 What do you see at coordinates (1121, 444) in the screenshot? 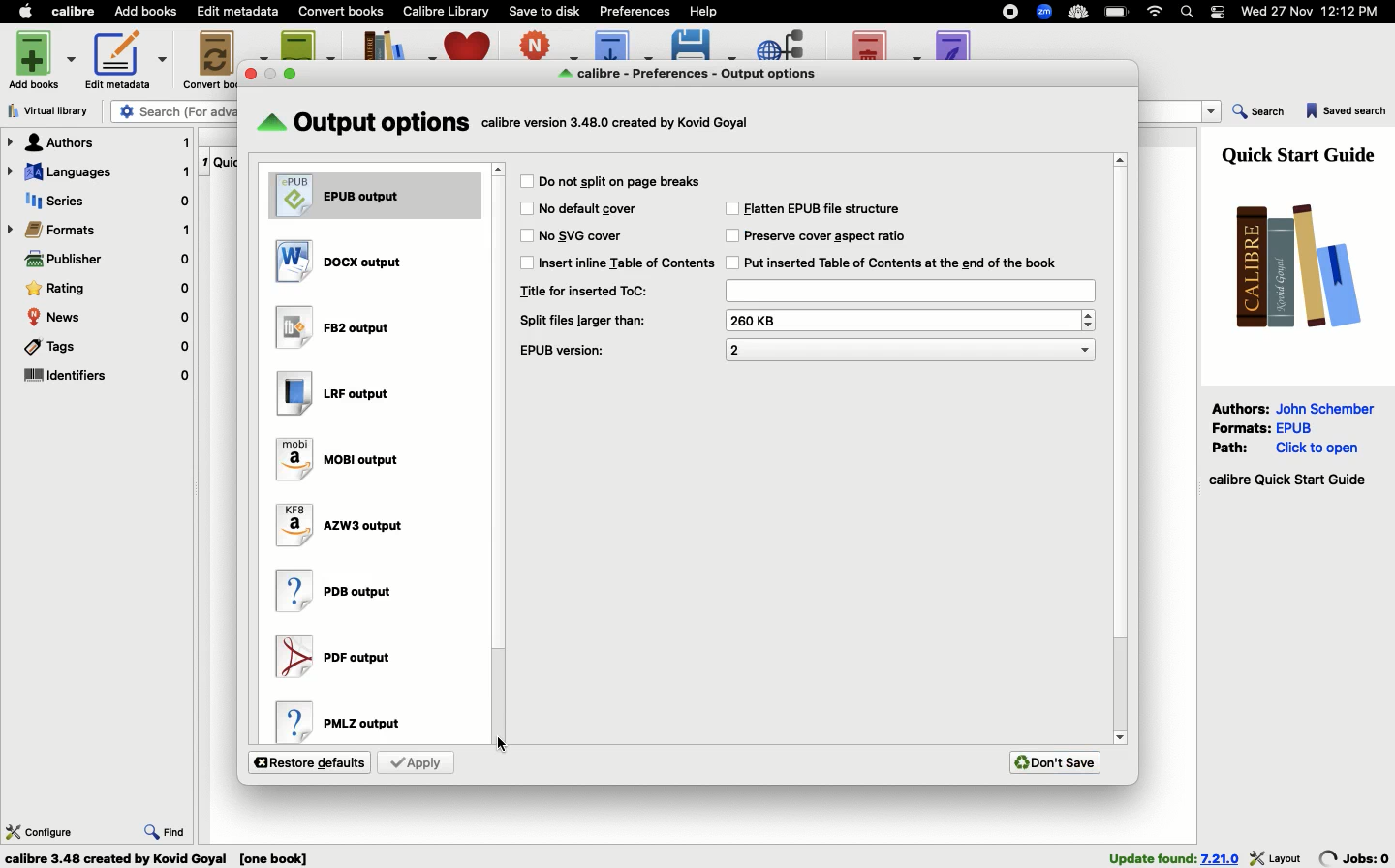
I see `Scroll` at bounding box center [1121, 444].